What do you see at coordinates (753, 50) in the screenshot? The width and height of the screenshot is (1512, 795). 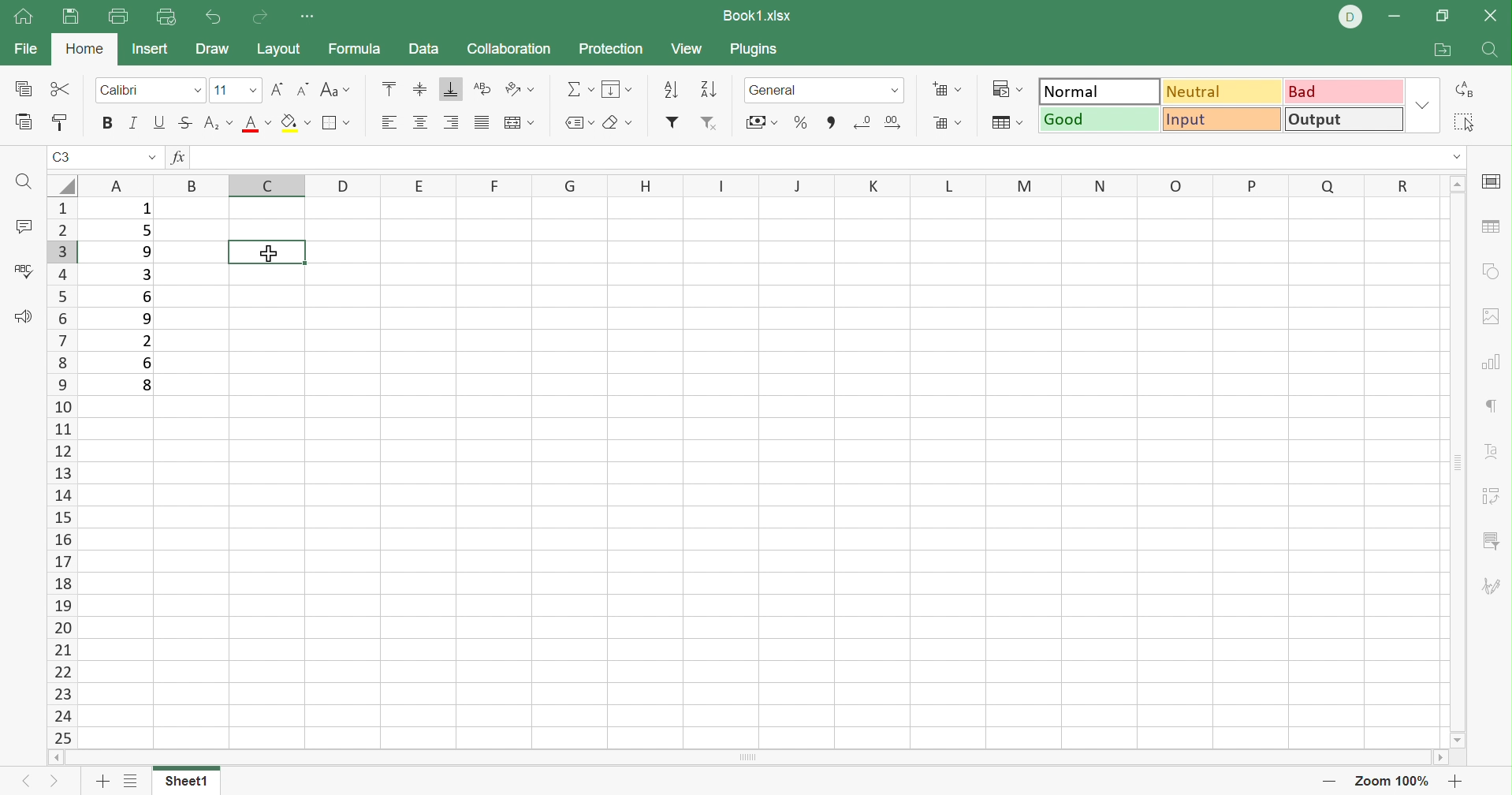 I see `Plugins` at bounding box center [753, 50].